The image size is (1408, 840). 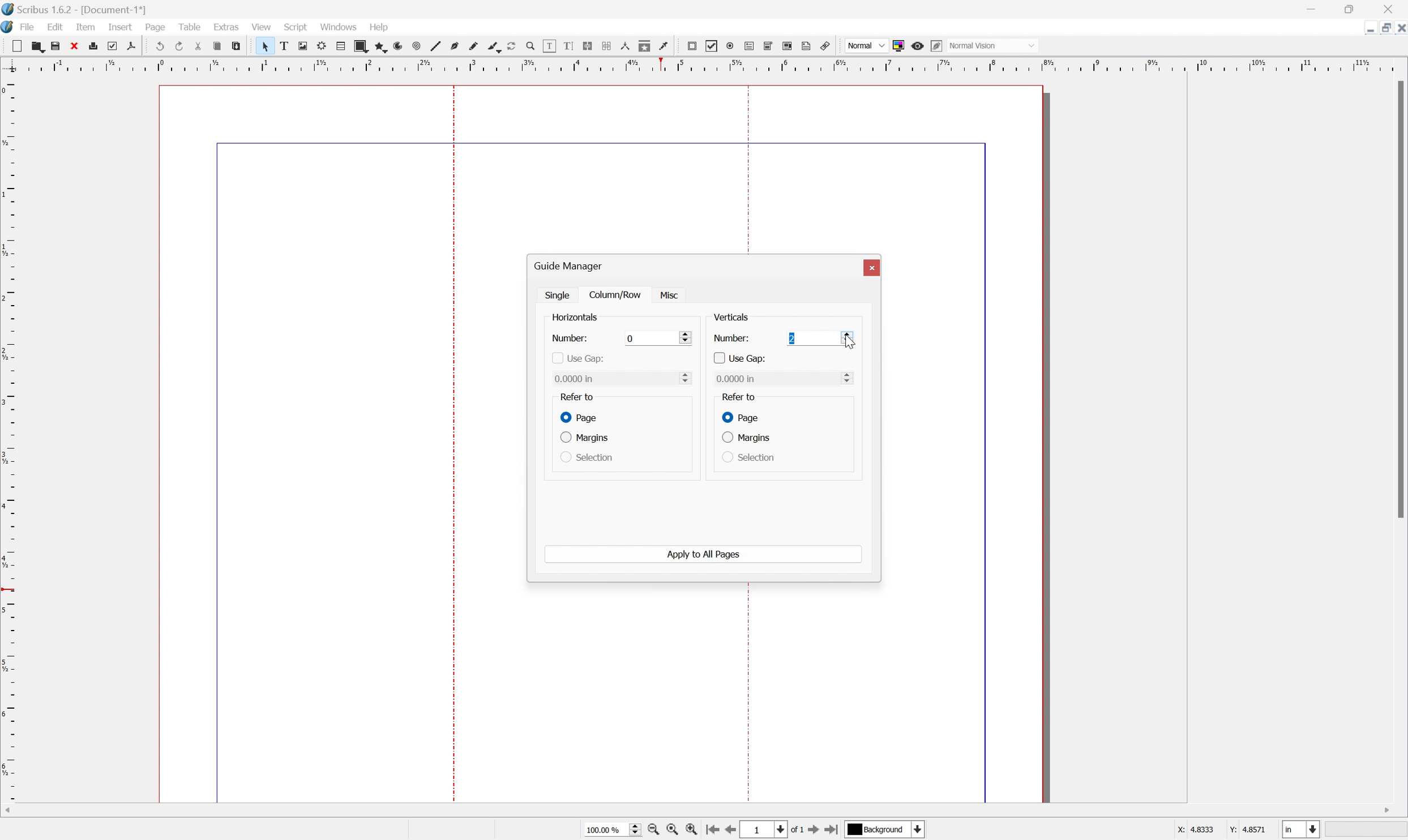 What do you see at coordinates (671, 294) in the screenshot?
I see `cursor` at bounding box center [671, 294].